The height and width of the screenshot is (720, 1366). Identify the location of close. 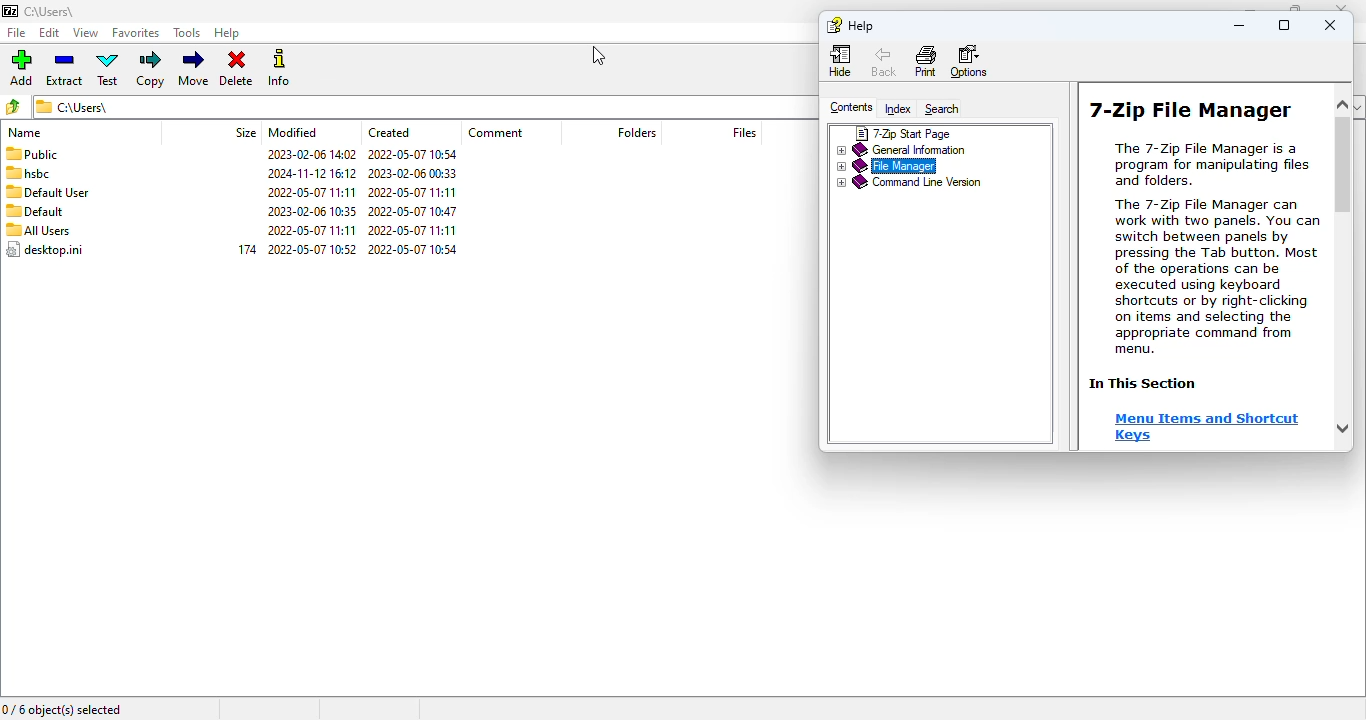
(1330, 24).